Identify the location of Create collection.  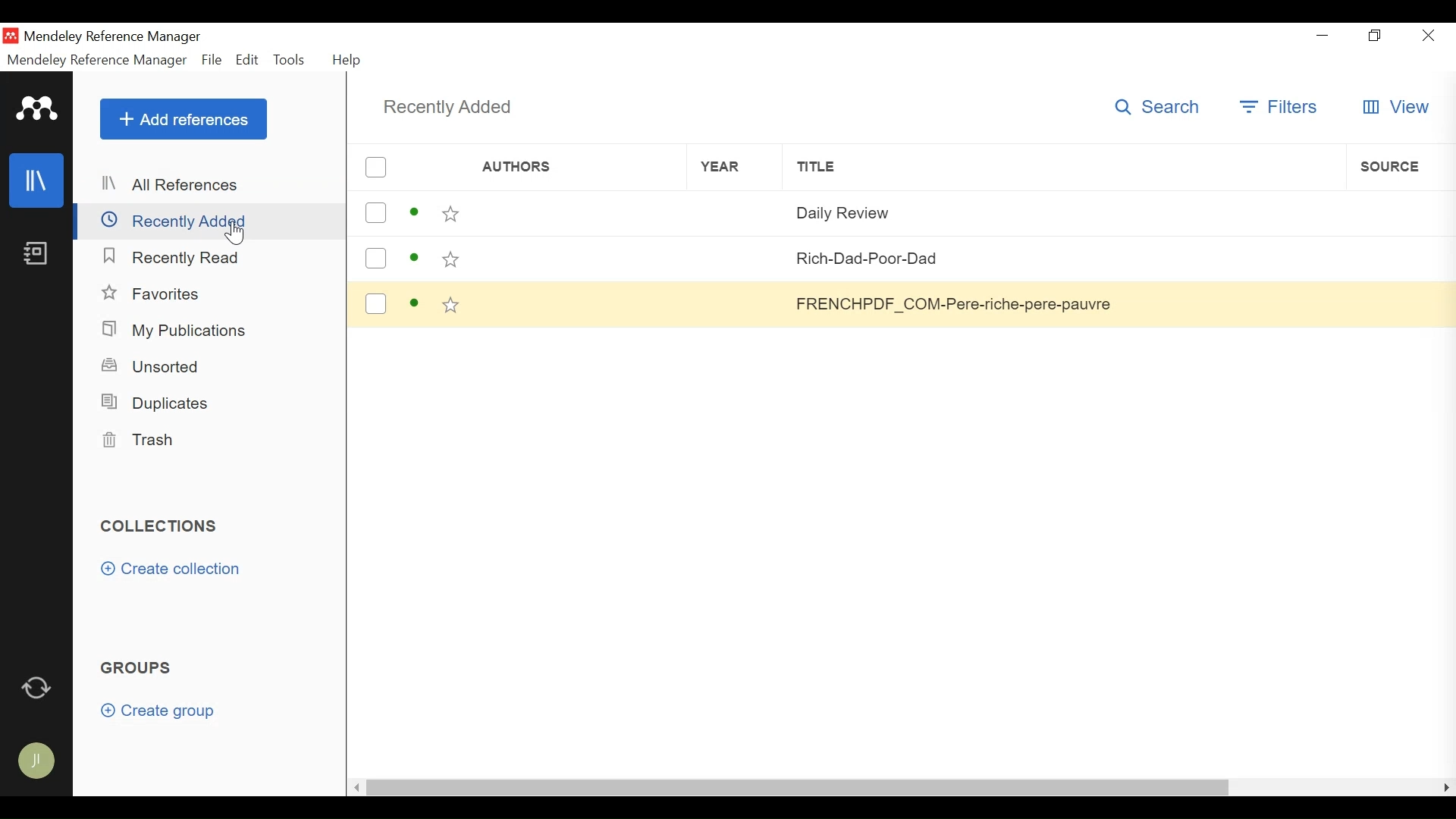
(175, 569).